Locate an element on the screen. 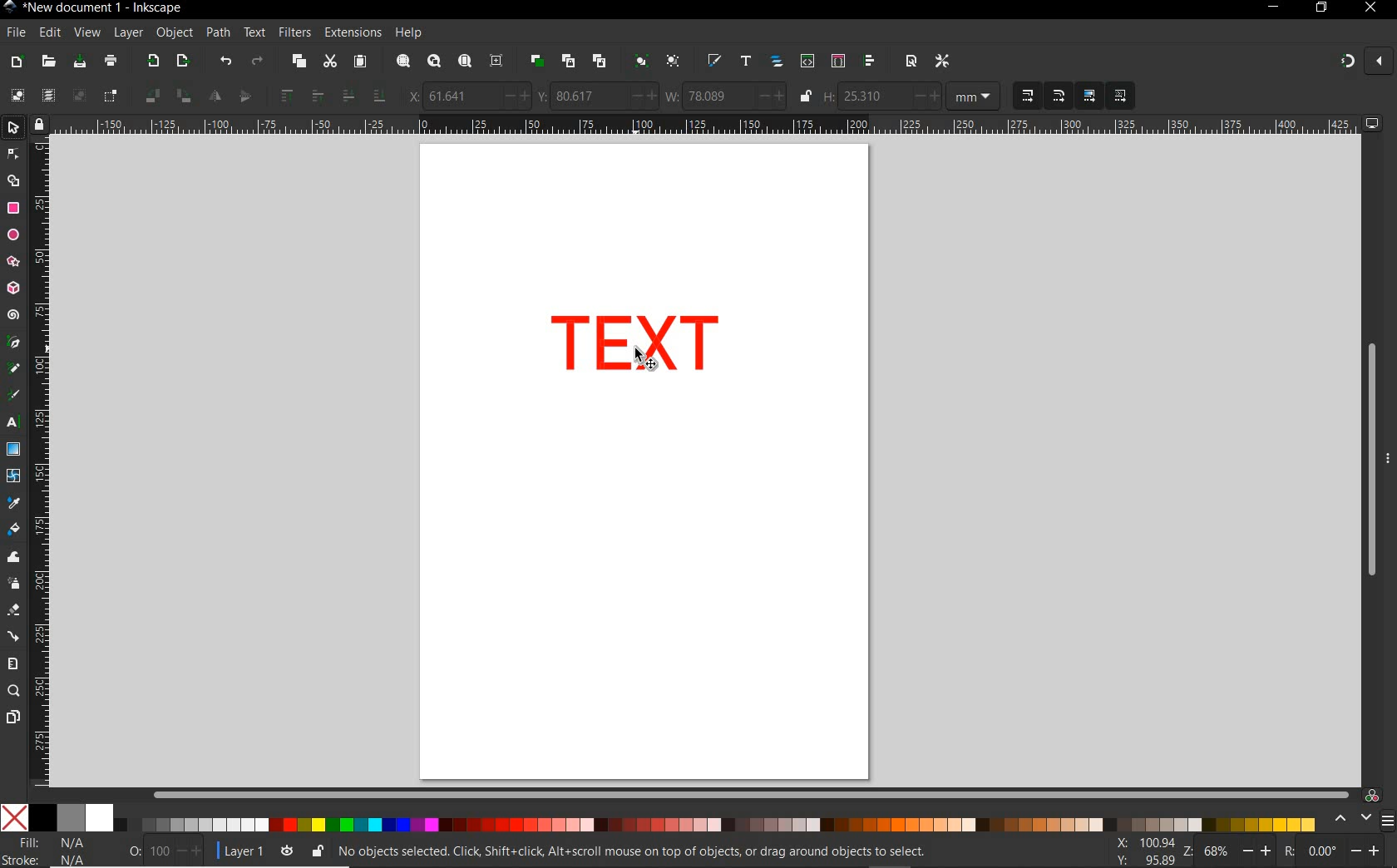  lower selection is located at coordinates (362, 96).